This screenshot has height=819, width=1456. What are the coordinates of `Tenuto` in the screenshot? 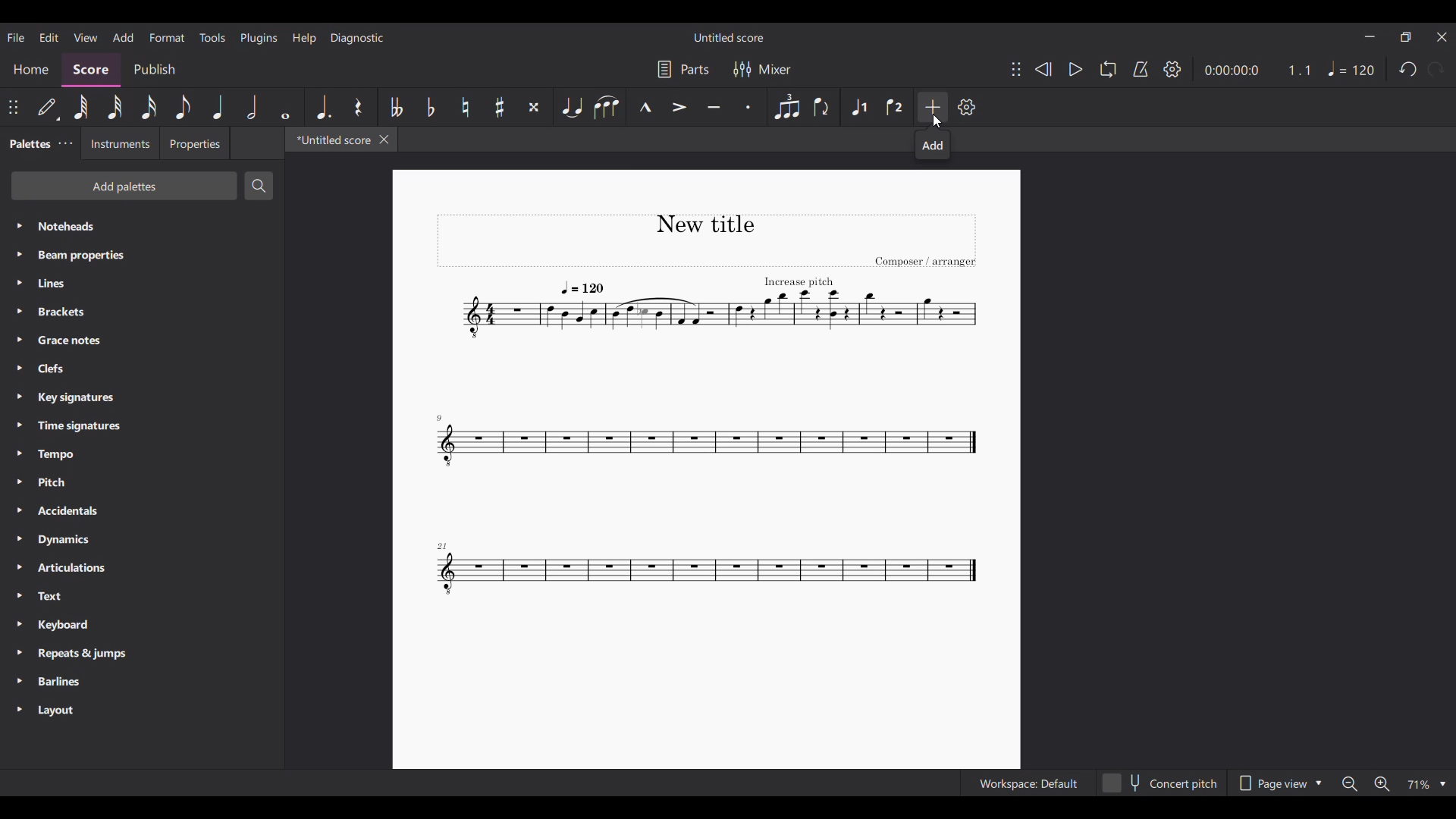 It's located at (714, 108).